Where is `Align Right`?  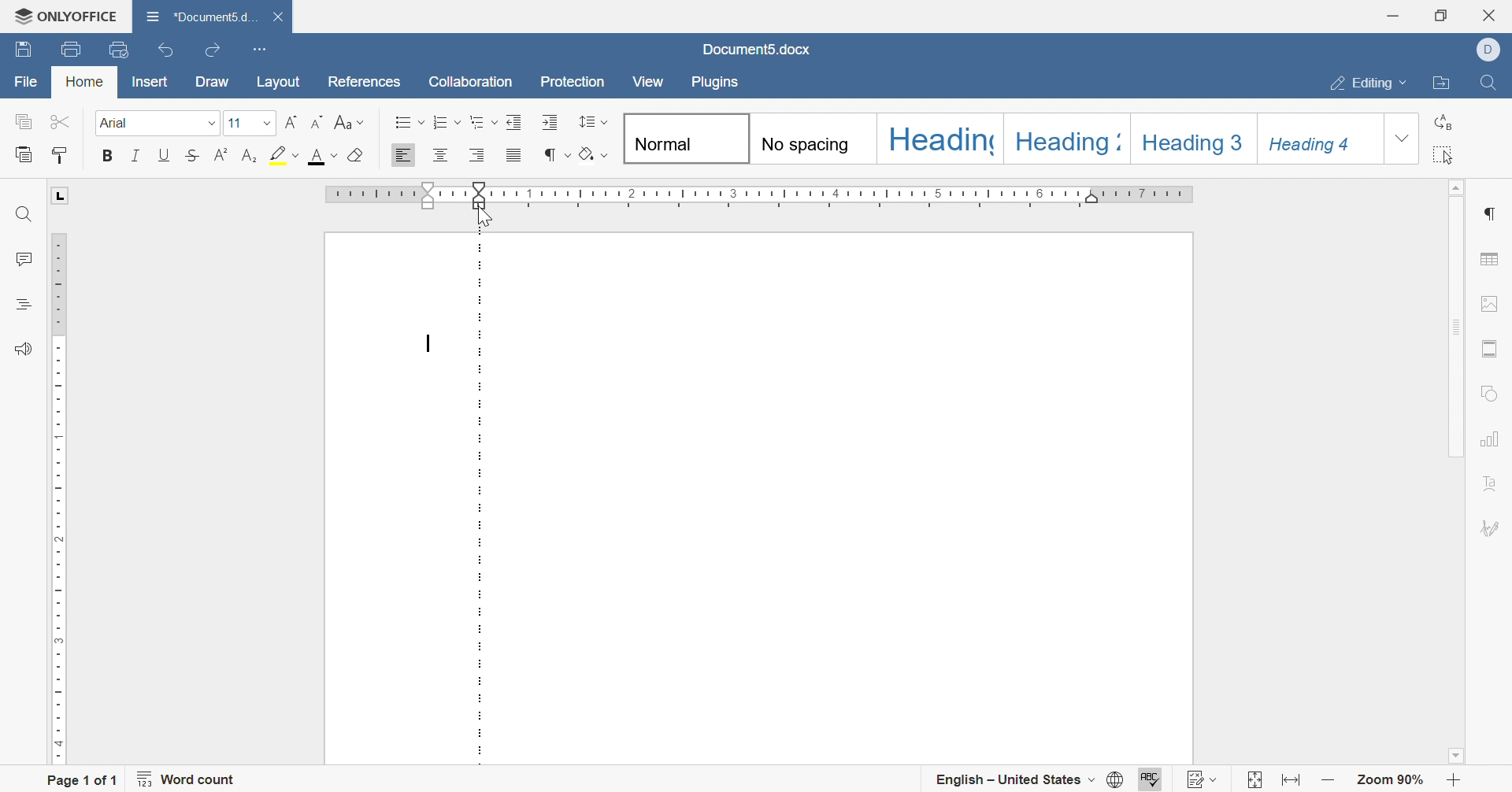
Align Right is located at coordinates (478, 155).